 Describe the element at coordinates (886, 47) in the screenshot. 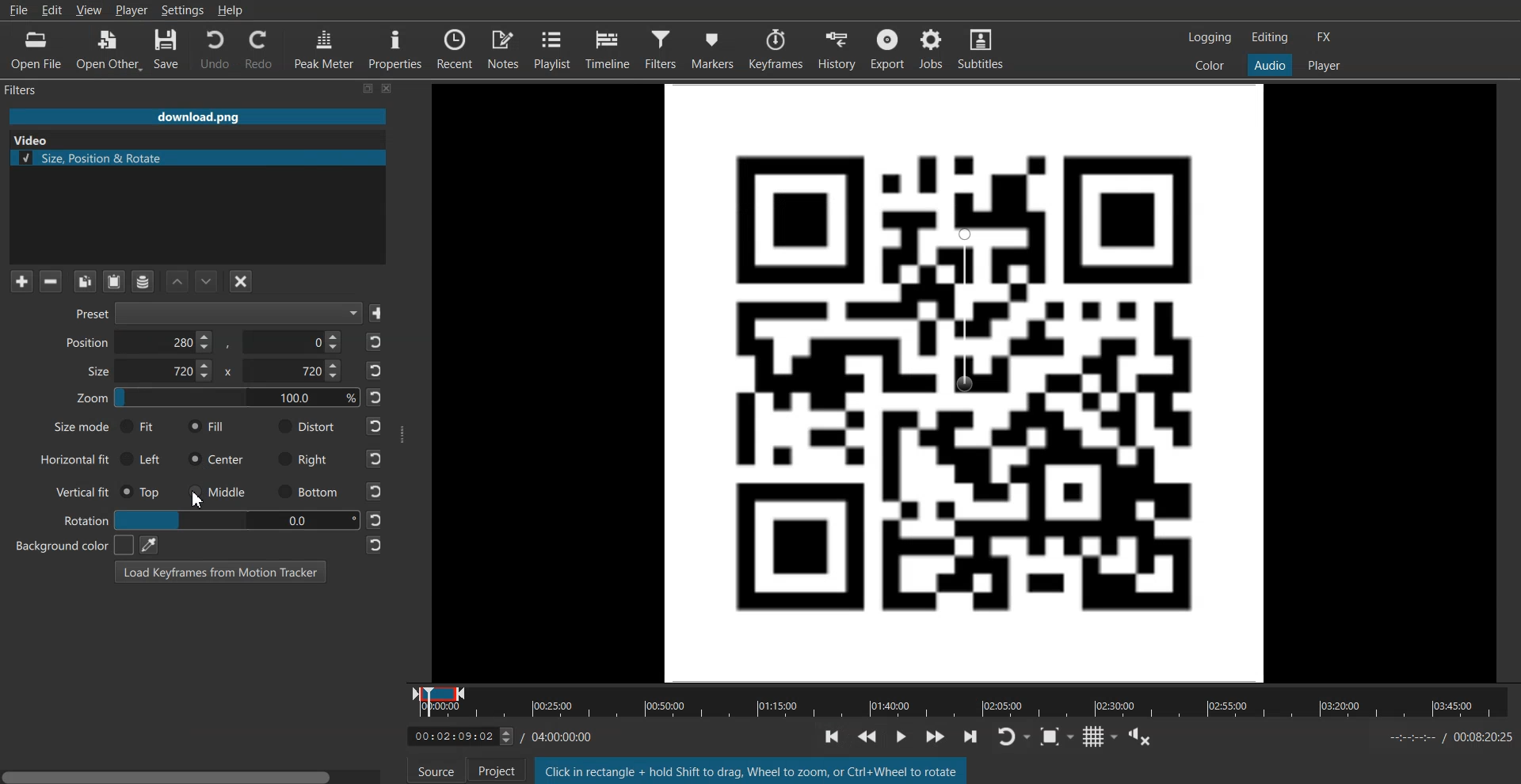

I see `Export` at that location.